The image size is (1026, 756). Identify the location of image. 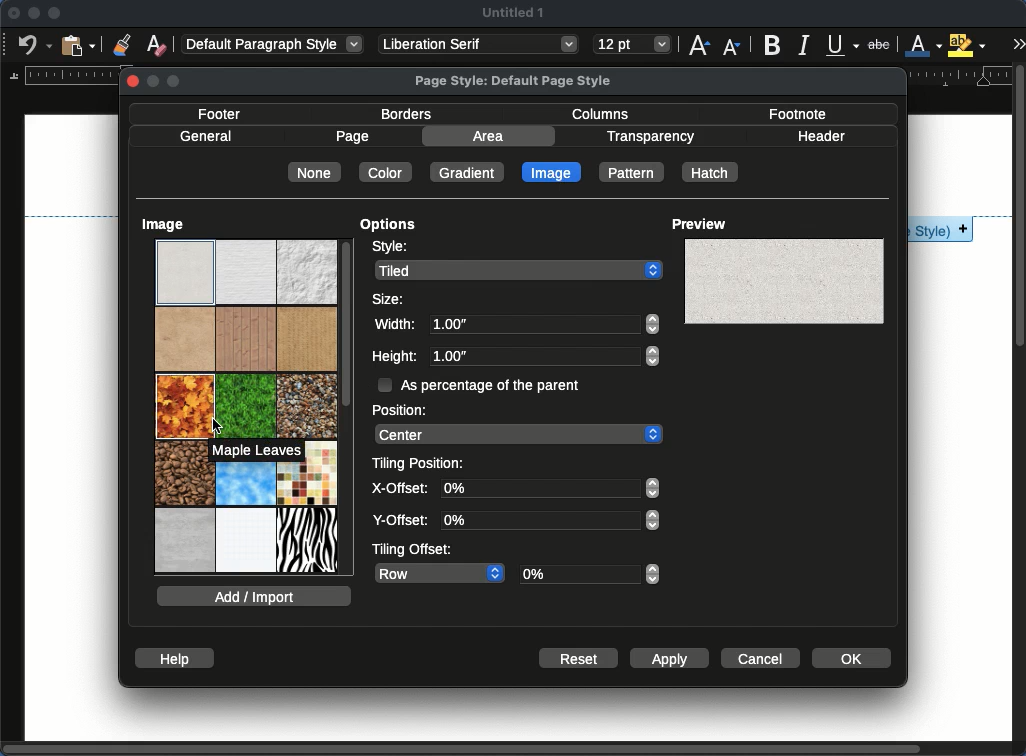
(555, 172).